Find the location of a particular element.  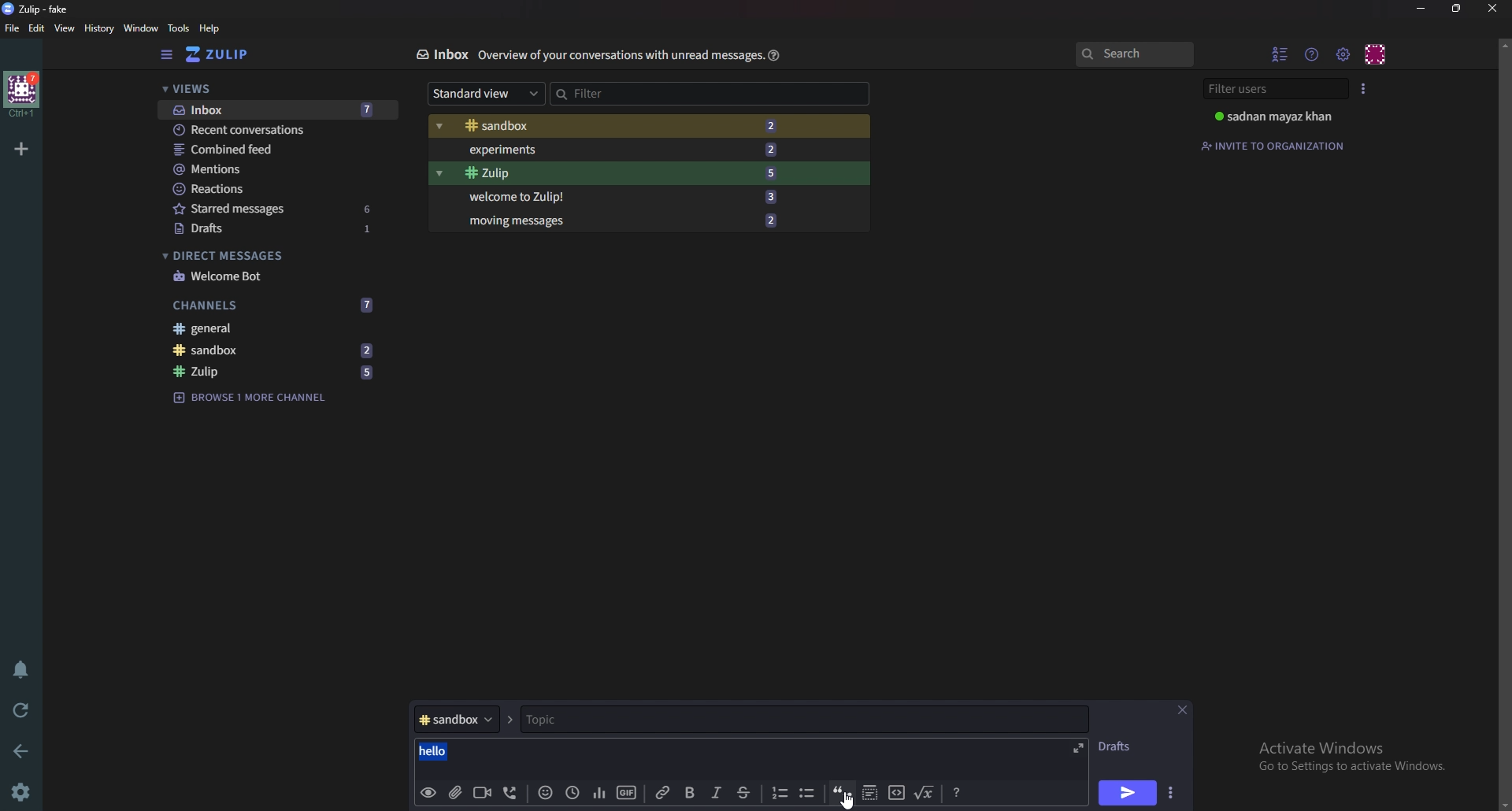

2  is located at coordinates (775, 125).